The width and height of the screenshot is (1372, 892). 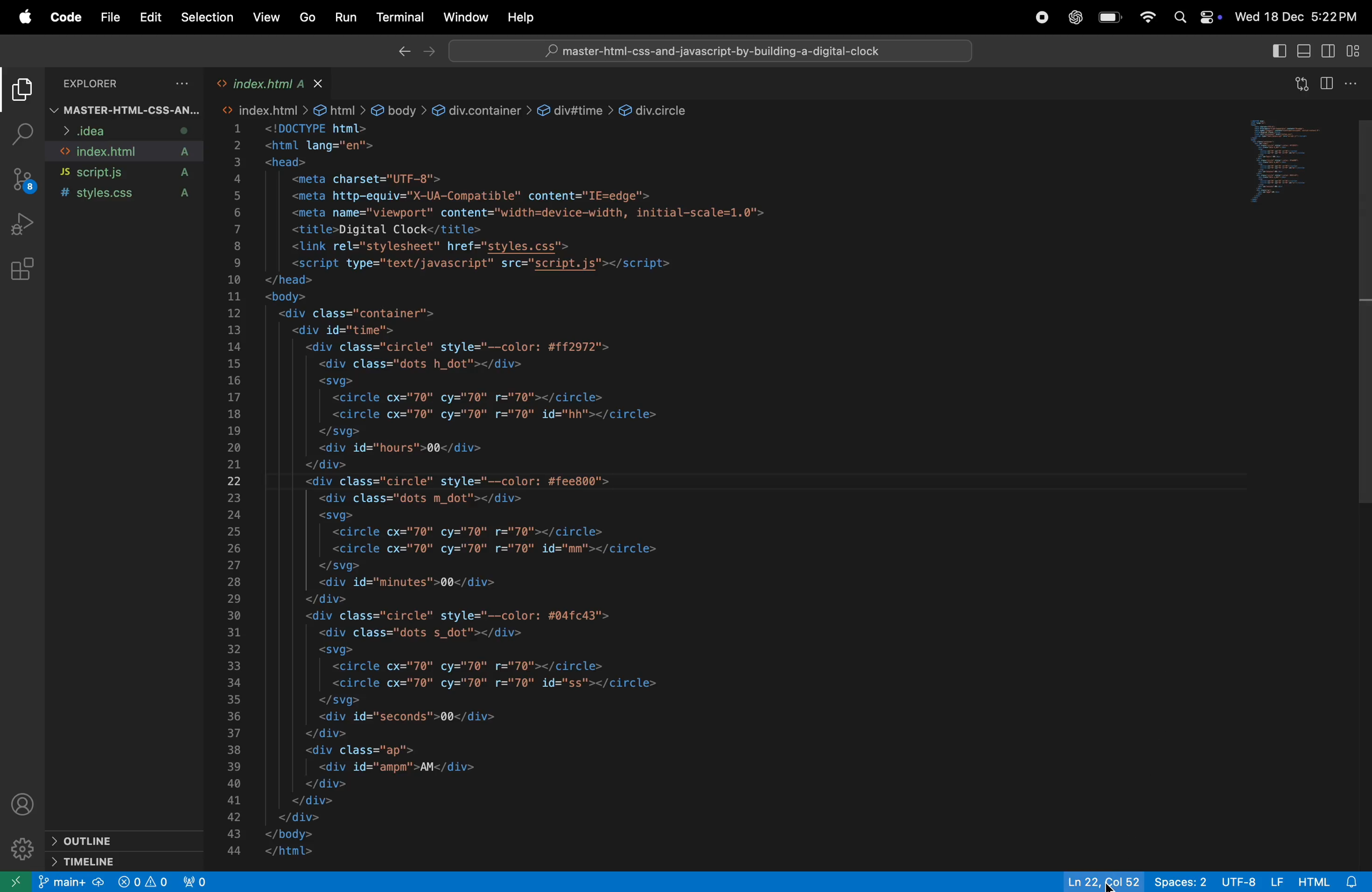 I want to click on toggle panel, so click(x=1303, y=51).